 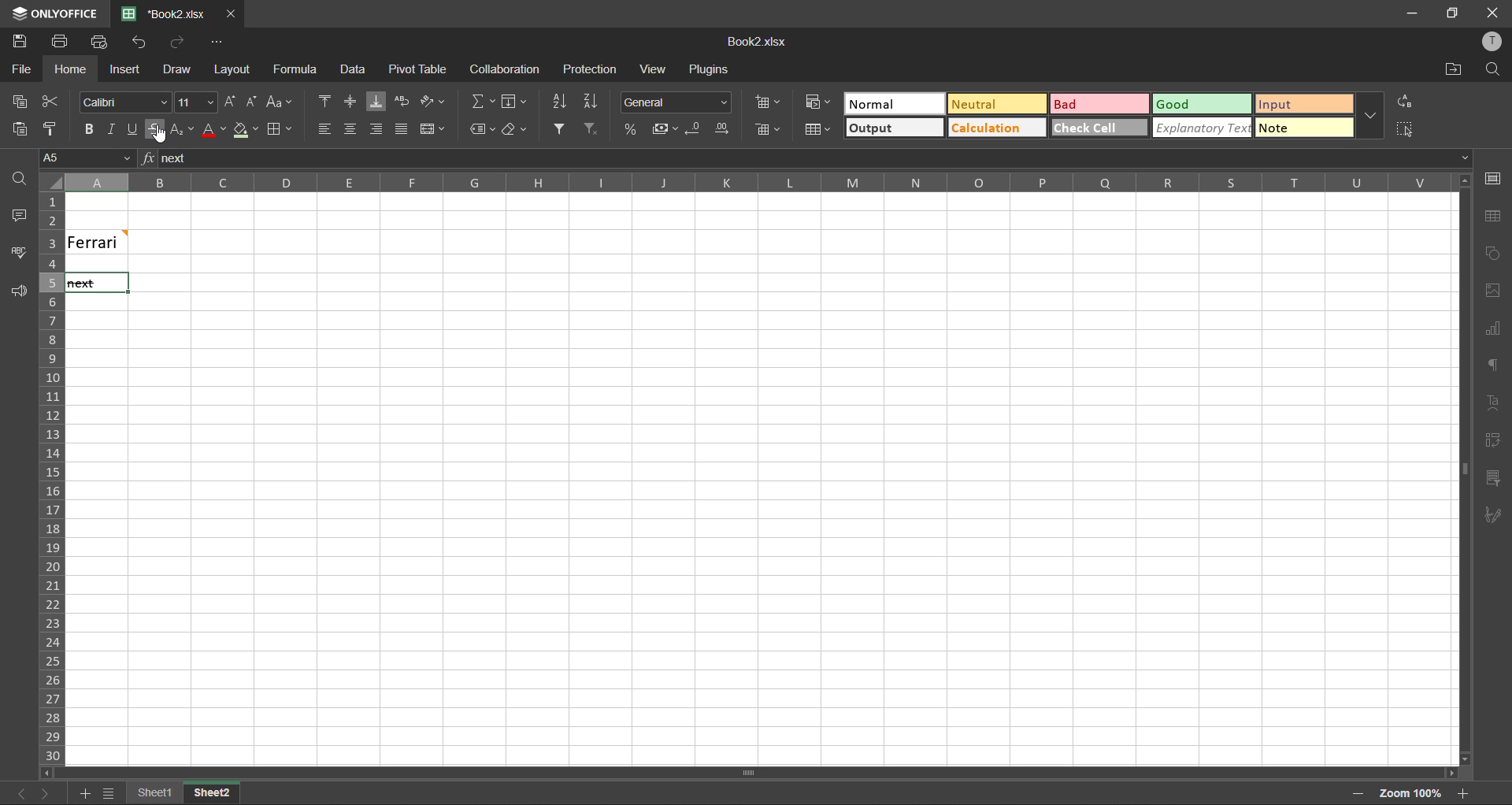 What do you see at coordinates (1494, 440) in the screenshot?
I see `pivot table` at bounding box center [1494, 440].